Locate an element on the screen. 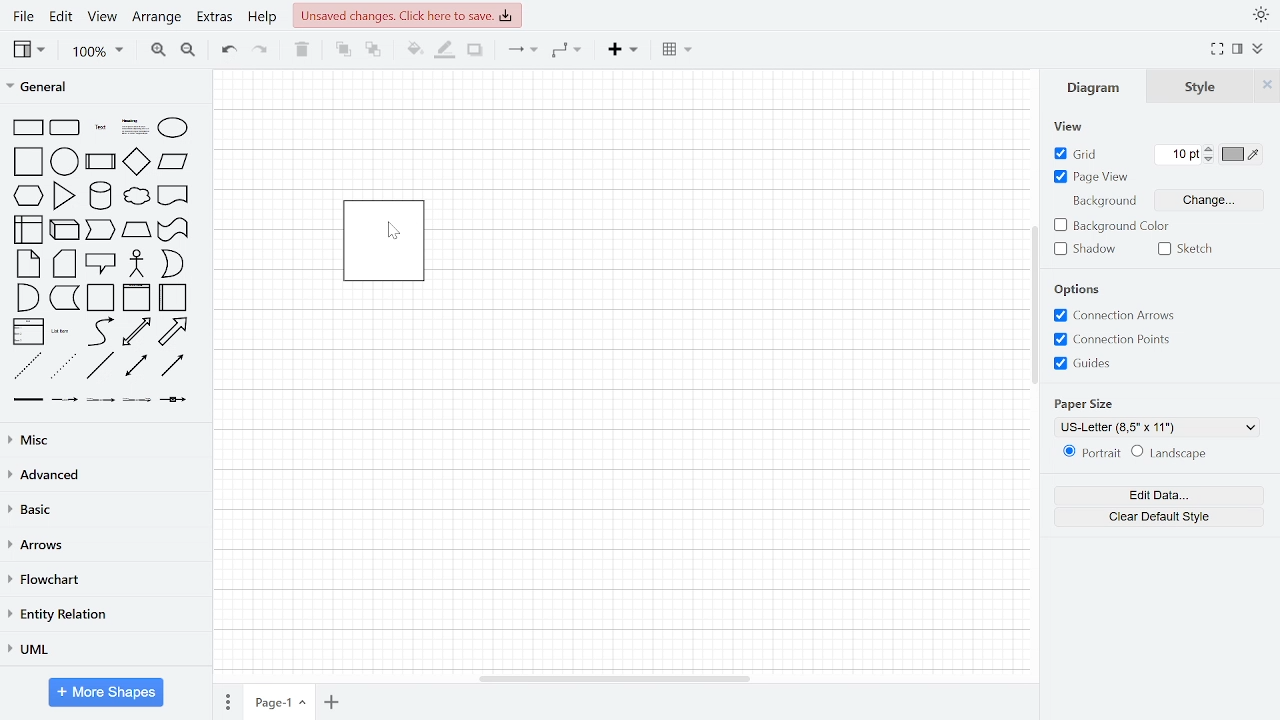  to back is located at coordinates (373, 48).